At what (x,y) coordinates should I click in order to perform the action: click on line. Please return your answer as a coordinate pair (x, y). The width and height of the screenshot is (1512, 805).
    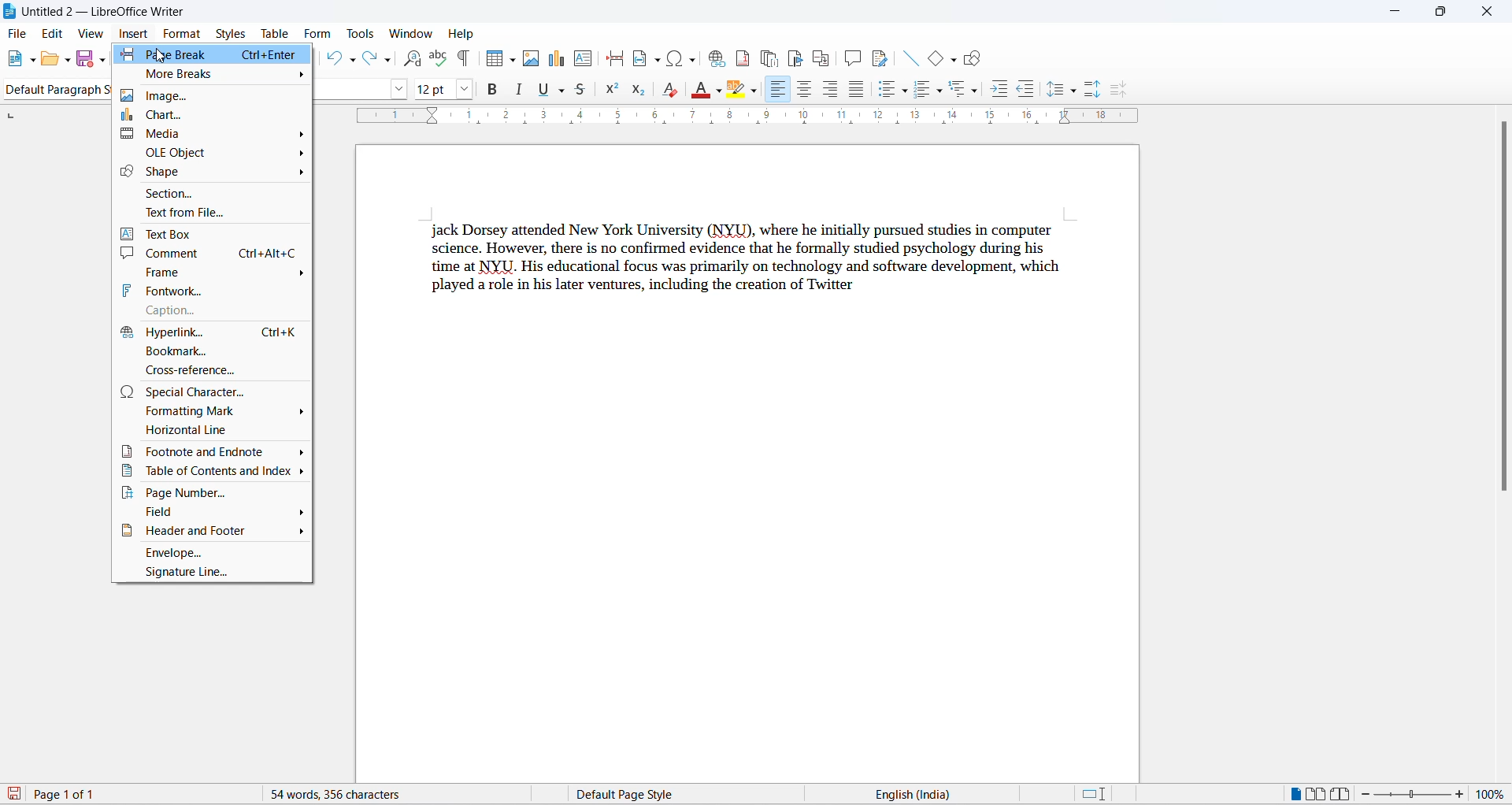
    Looking at the image, I should click on (913, 58).